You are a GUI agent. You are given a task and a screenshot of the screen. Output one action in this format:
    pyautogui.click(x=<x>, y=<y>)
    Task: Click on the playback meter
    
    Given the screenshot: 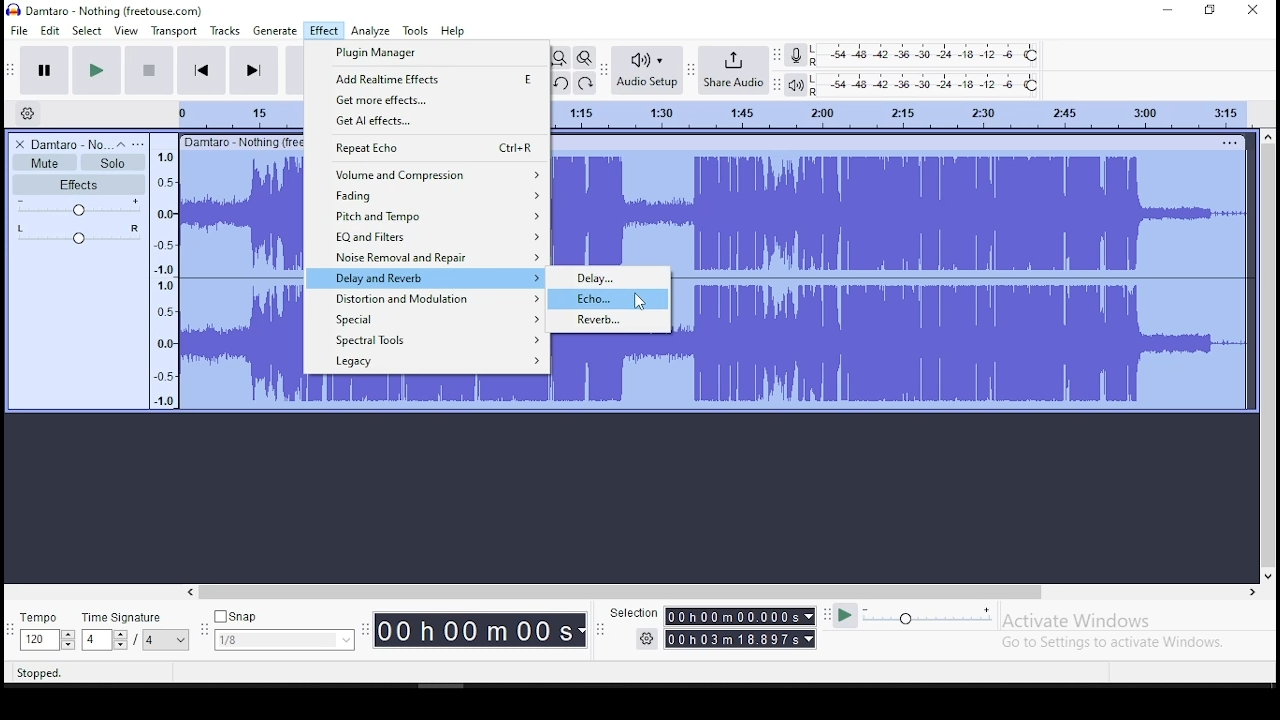 What is the action you would take?
    pyautogui.click(x=796, y=85)
    